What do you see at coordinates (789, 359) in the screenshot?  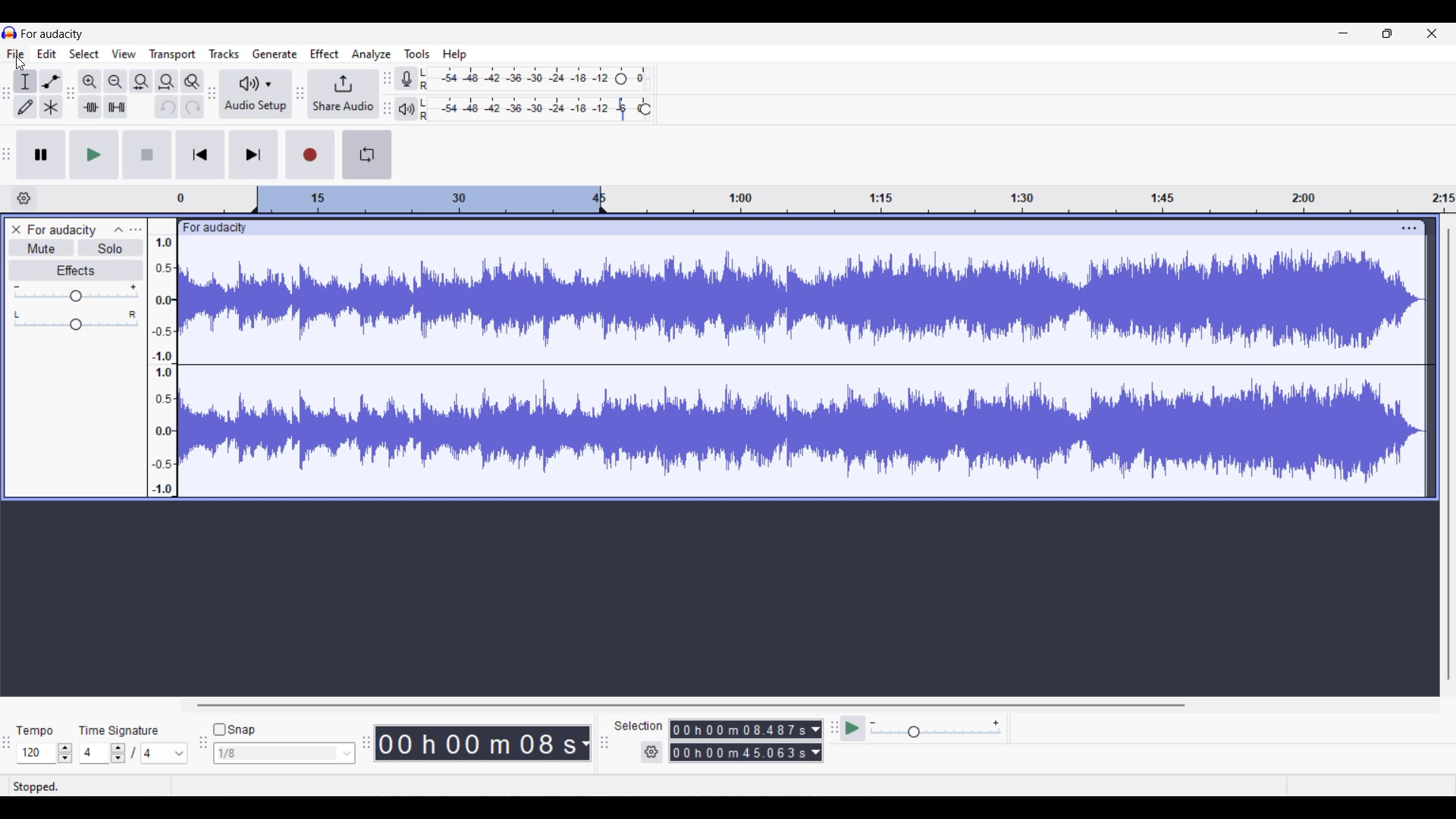 I see `Current track` at bounding box center [789, 359].